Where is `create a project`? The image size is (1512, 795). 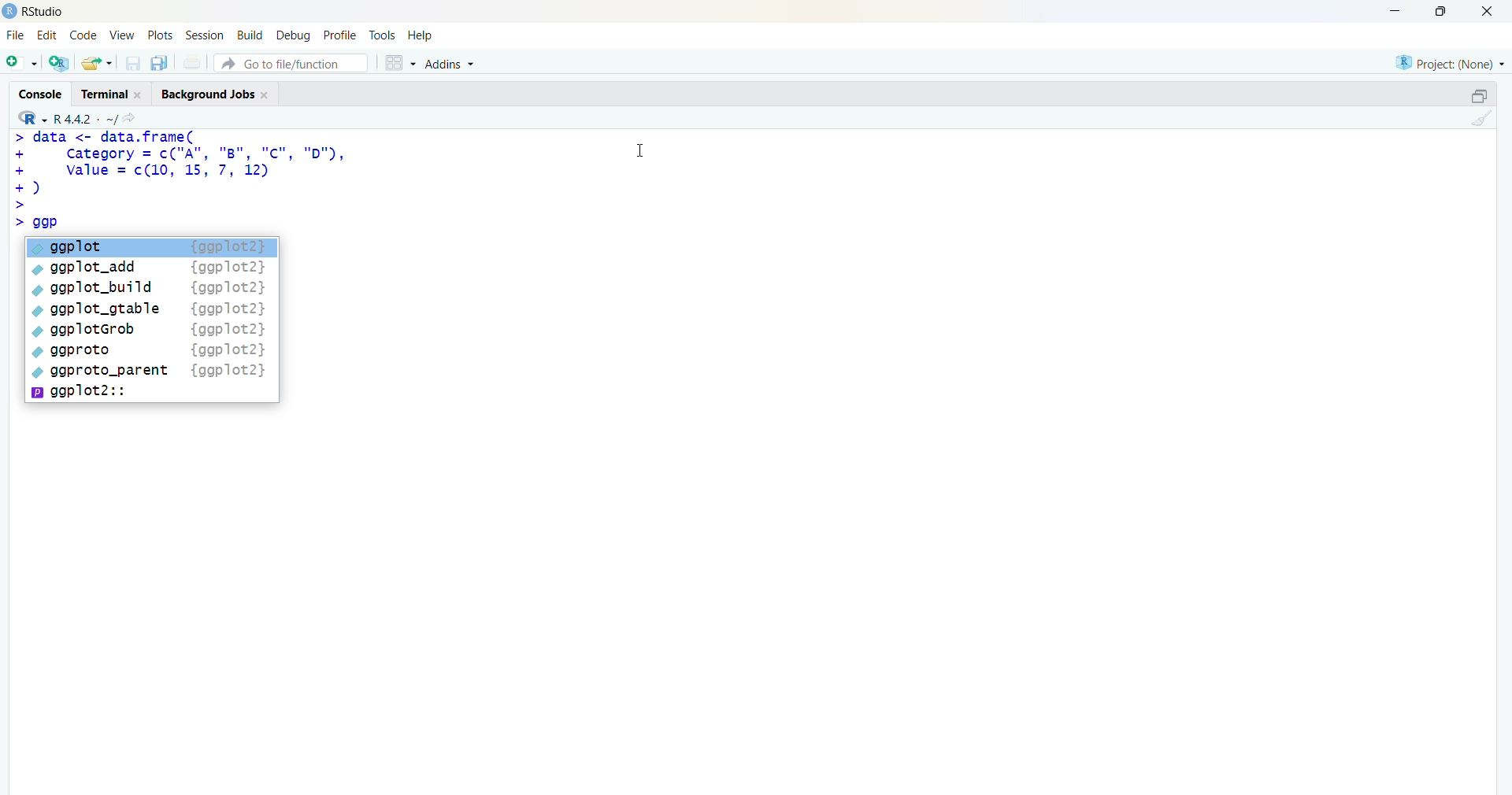
create a project is located at coordinates (58, 62).